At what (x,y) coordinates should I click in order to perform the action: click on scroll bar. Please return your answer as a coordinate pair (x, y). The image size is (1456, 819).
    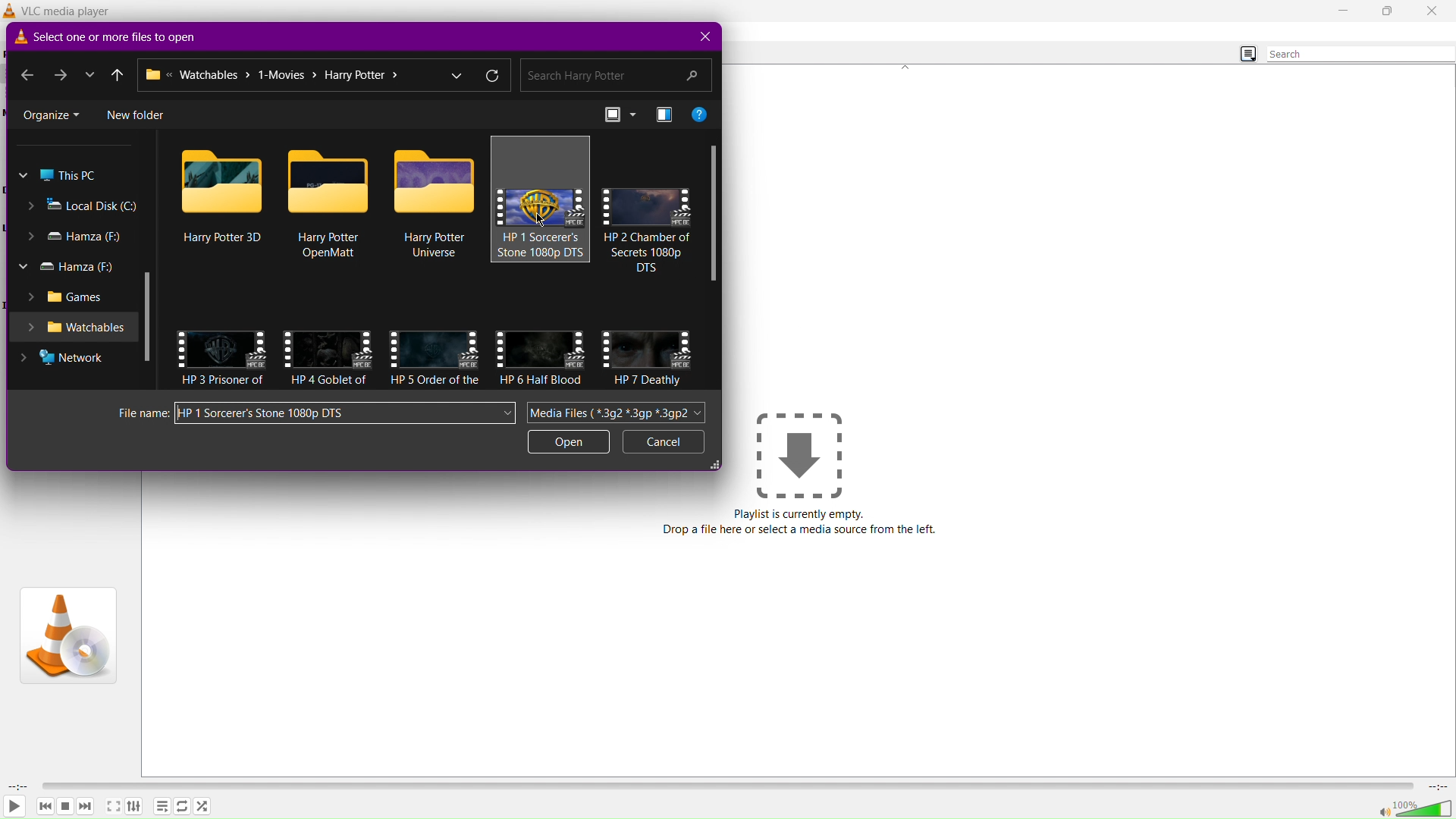
    Looking at the image, I should click on (146, 312).